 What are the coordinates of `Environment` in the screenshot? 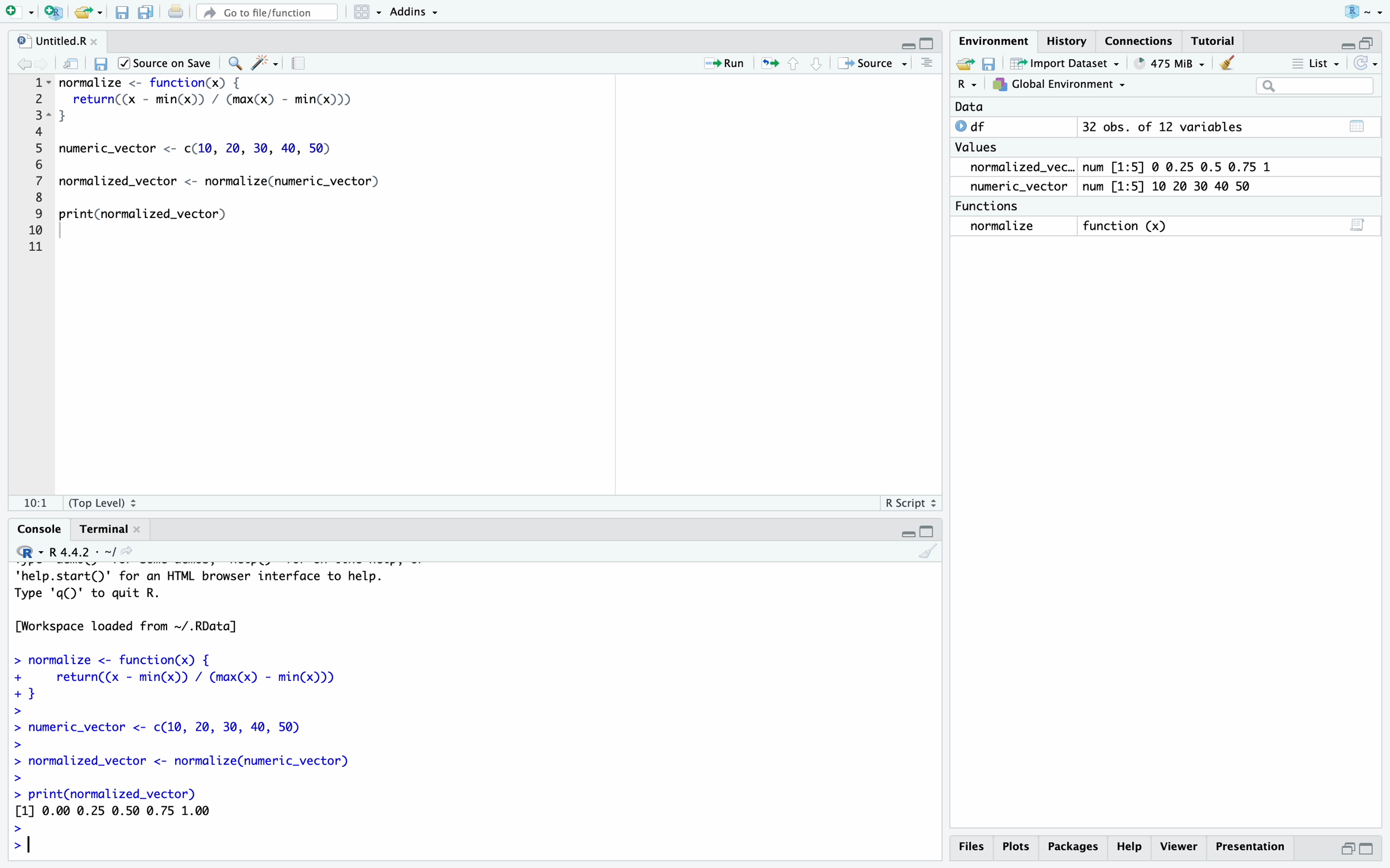 It's located at (995, 40).